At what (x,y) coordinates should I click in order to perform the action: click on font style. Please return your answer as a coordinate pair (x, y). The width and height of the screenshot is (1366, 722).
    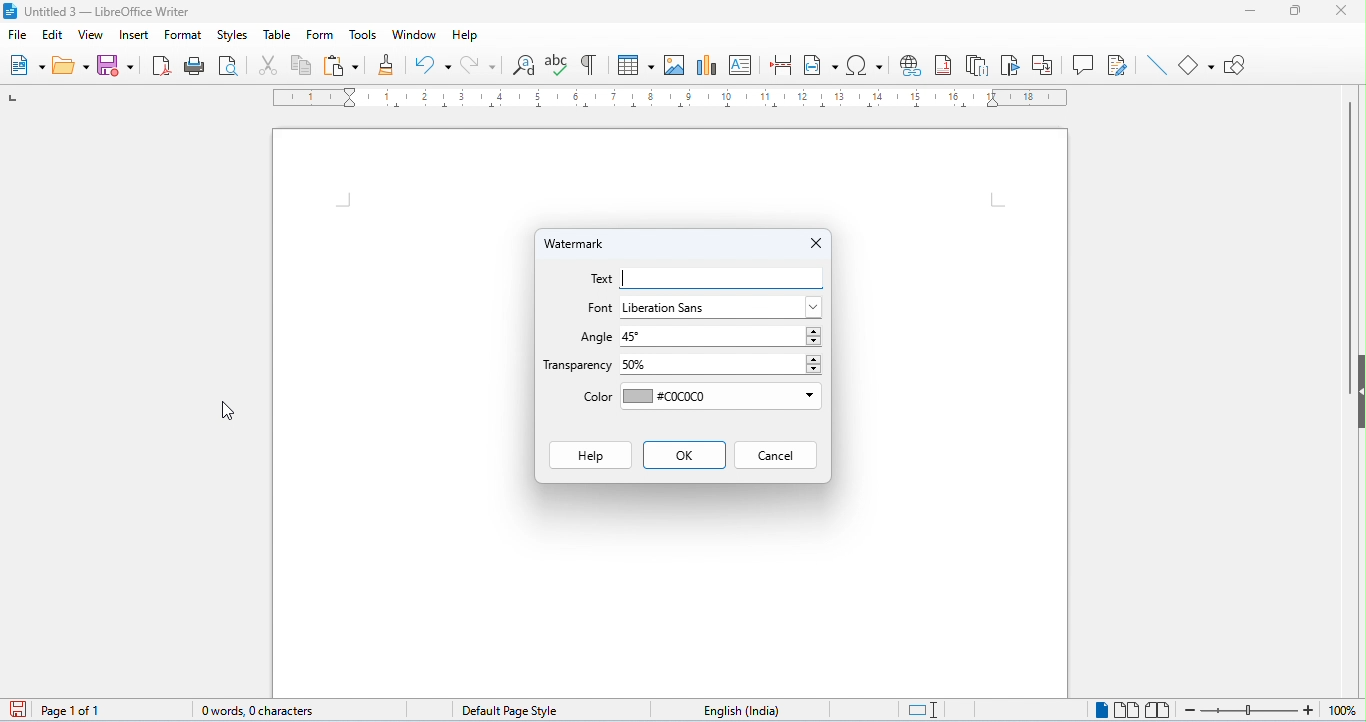
    Looking at the image, I should click on (721, 307).